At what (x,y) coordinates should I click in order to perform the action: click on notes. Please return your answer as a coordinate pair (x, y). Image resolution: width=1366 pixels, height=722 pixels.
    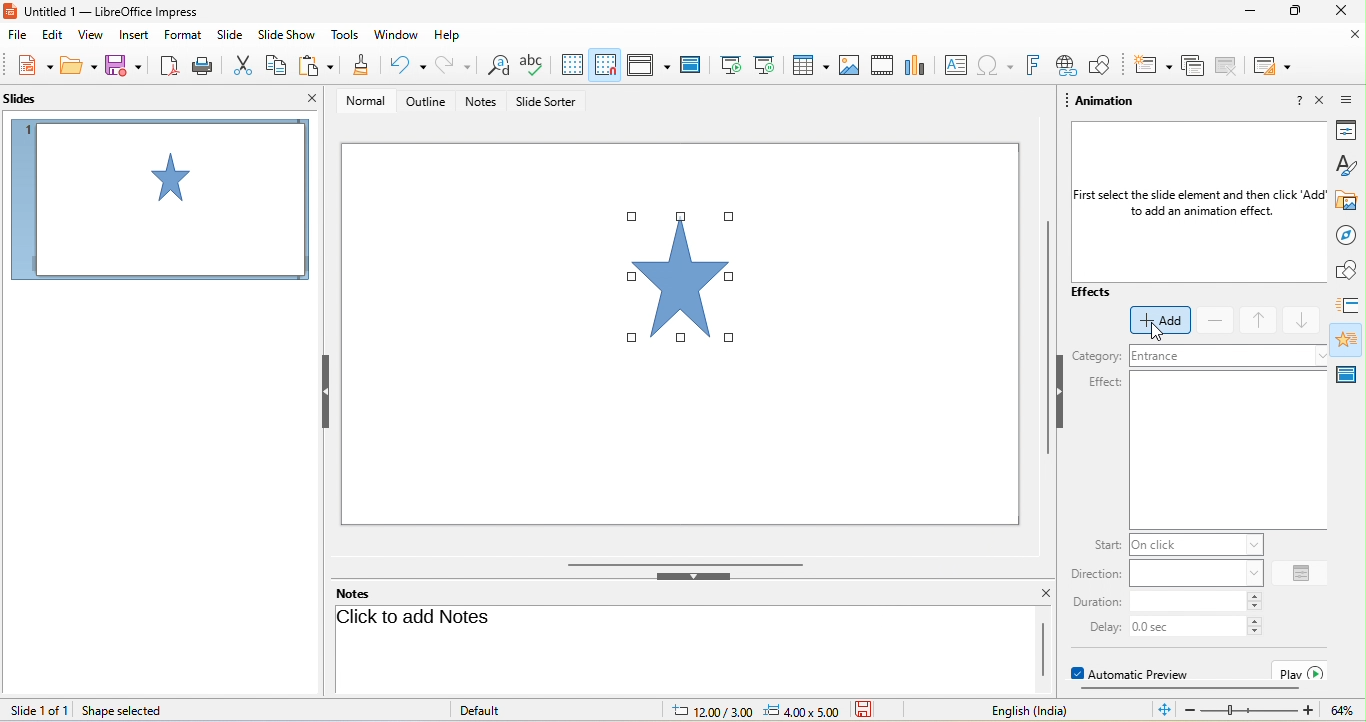
    Looking at the image, I should click on (356, 593).